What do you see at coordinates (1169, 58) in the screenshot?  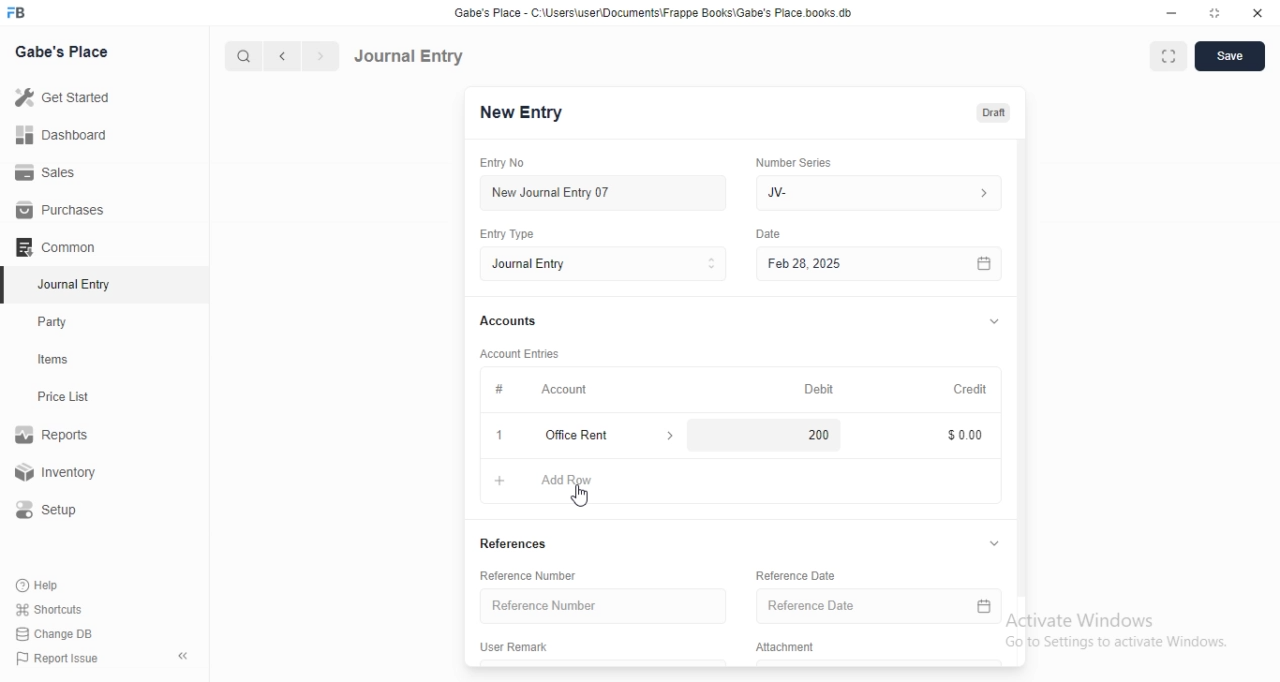 I see `fullscreen` at bounding box center [1169, 58].